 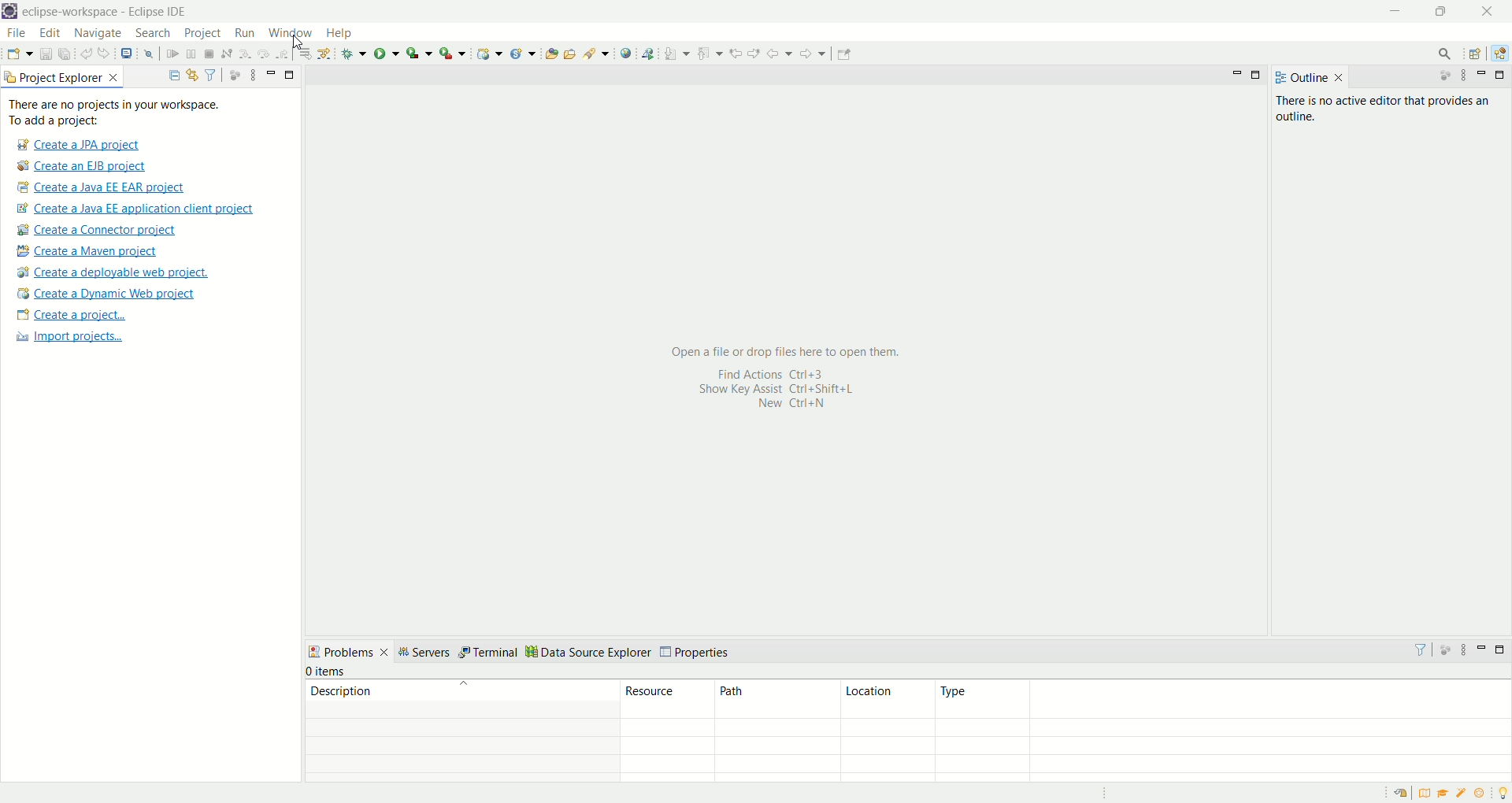 I want to click on type, so click(x=1222, y=700).